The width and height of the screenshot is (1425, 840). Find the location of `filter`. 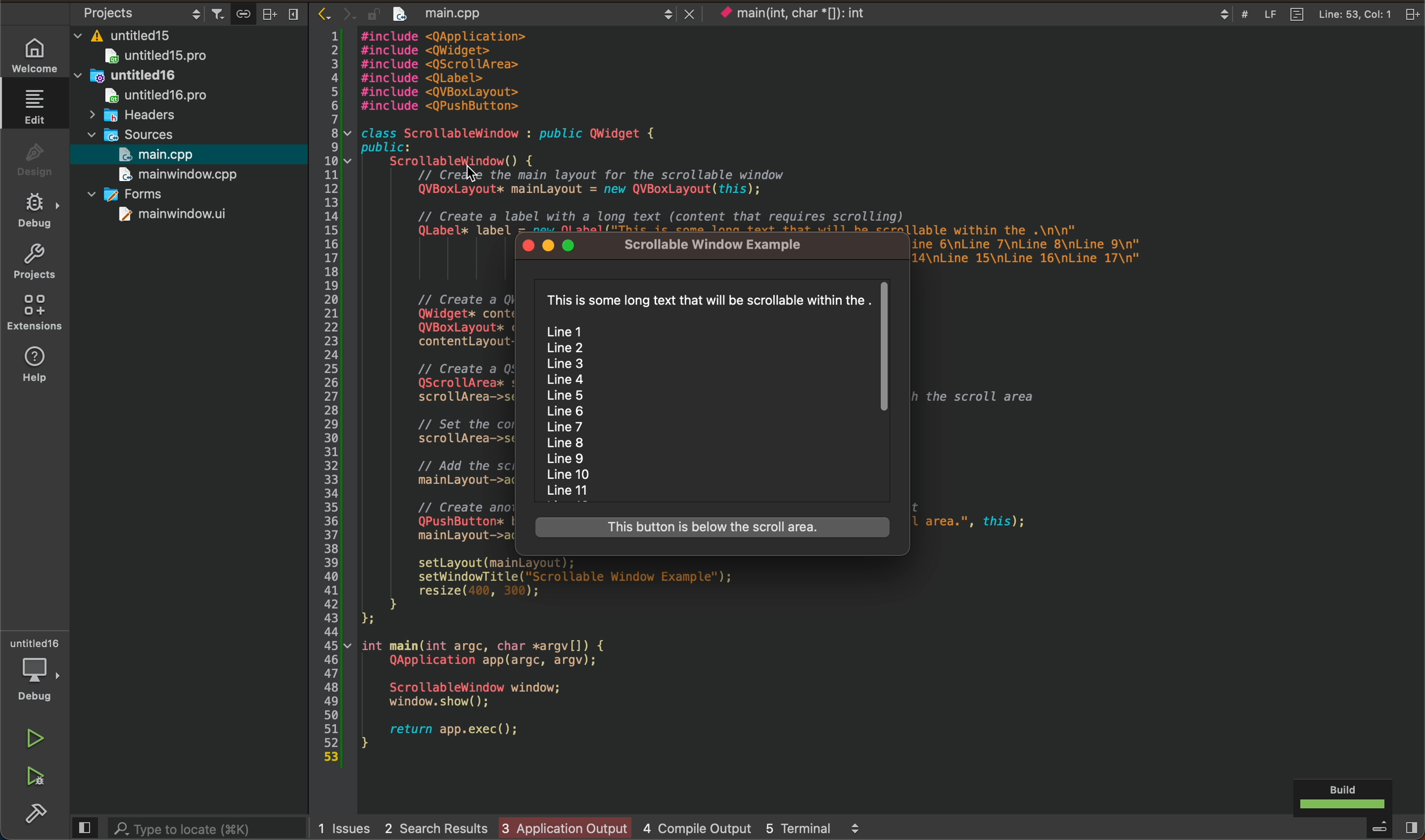

filter is located at coordinates (219, 14).